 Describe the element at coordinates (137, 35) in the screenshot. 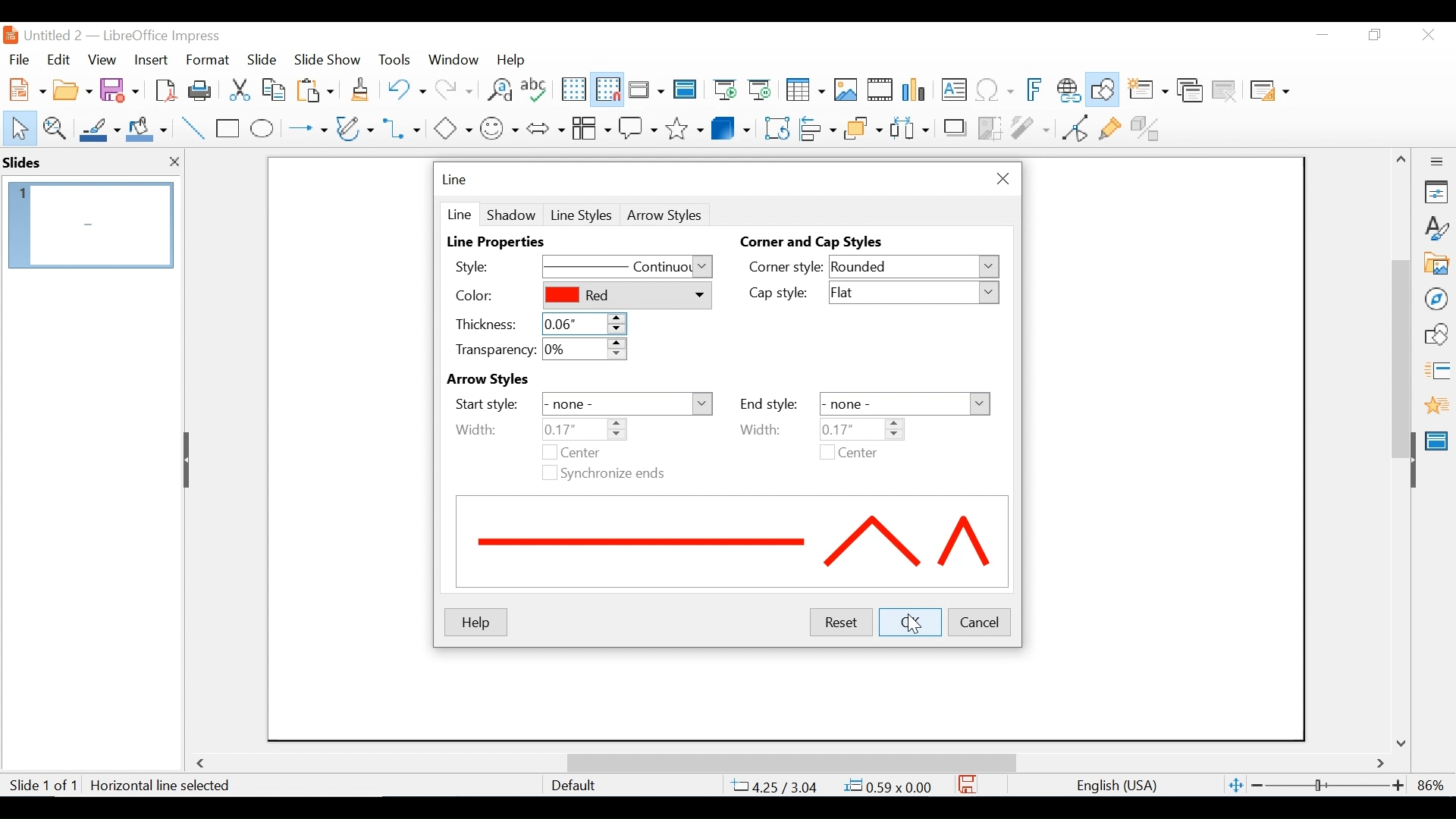

I see `Untitled 2 - LibreOffice Impress` at that location.